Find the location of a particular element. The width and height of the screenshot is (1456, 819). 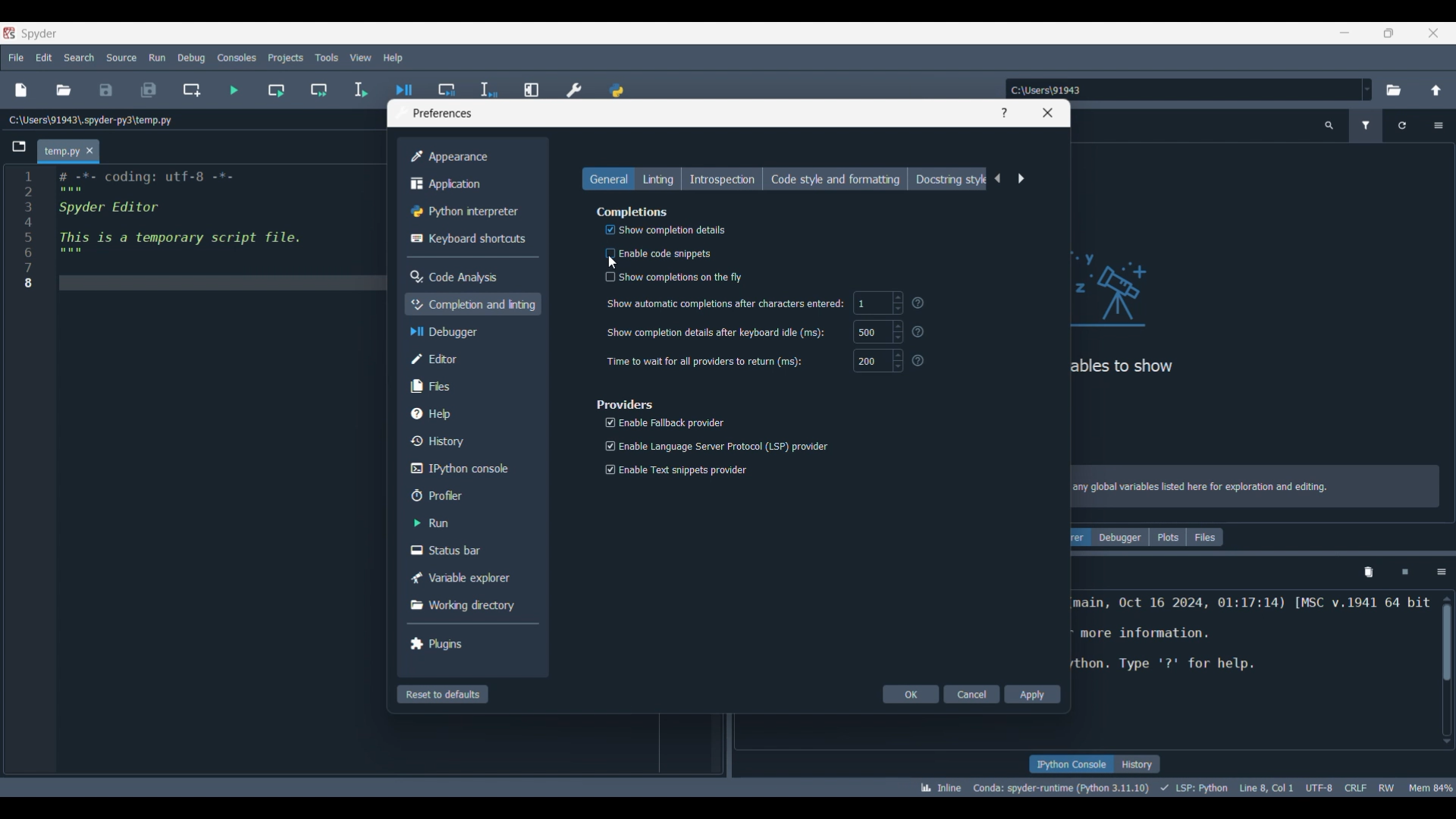

Enable Language Server Protocol (LSP) provider is located at coordinates (714, 444).